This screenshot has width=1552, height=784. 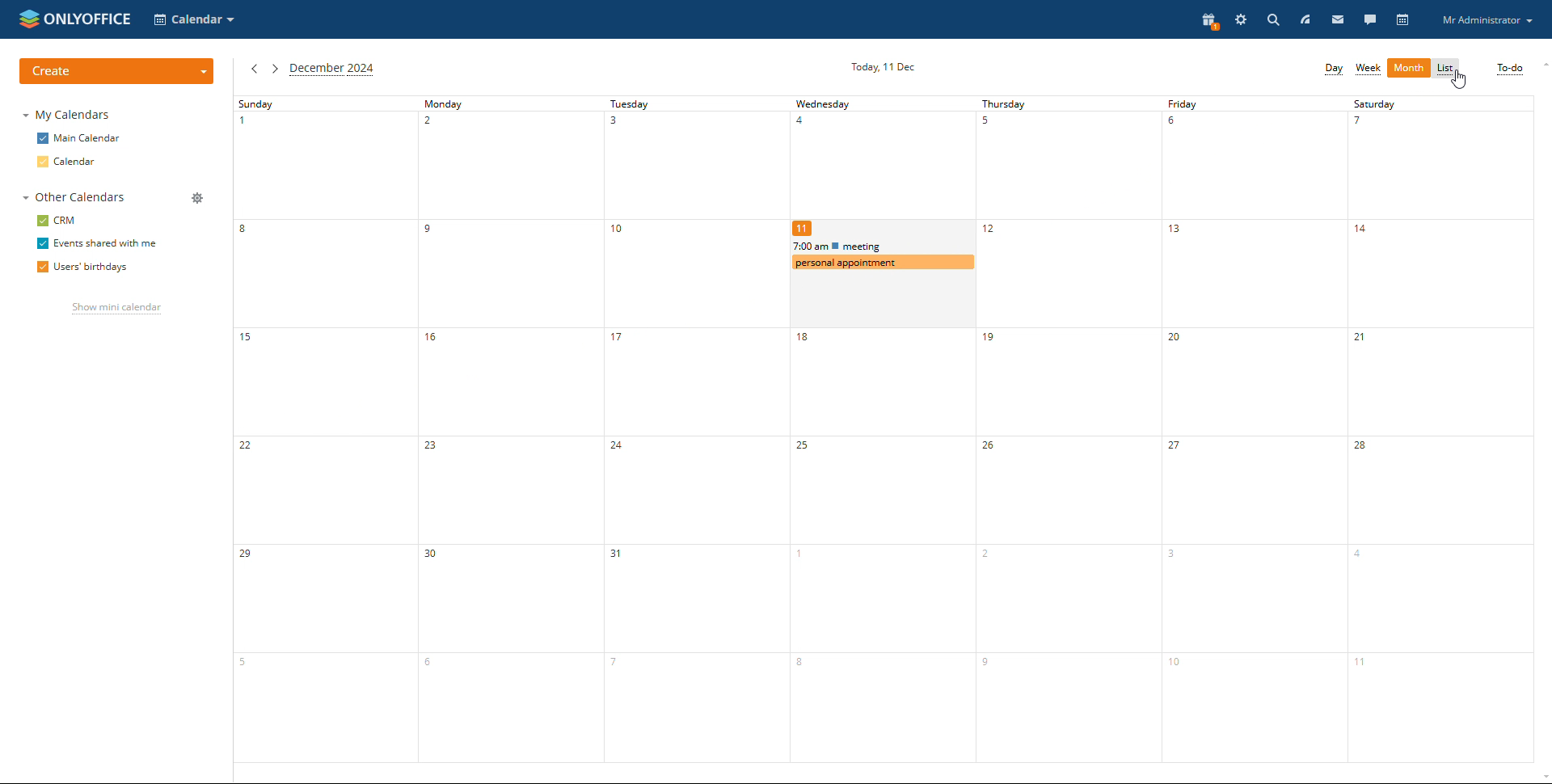 I want to click on calender, so click(x=1255, y=429).